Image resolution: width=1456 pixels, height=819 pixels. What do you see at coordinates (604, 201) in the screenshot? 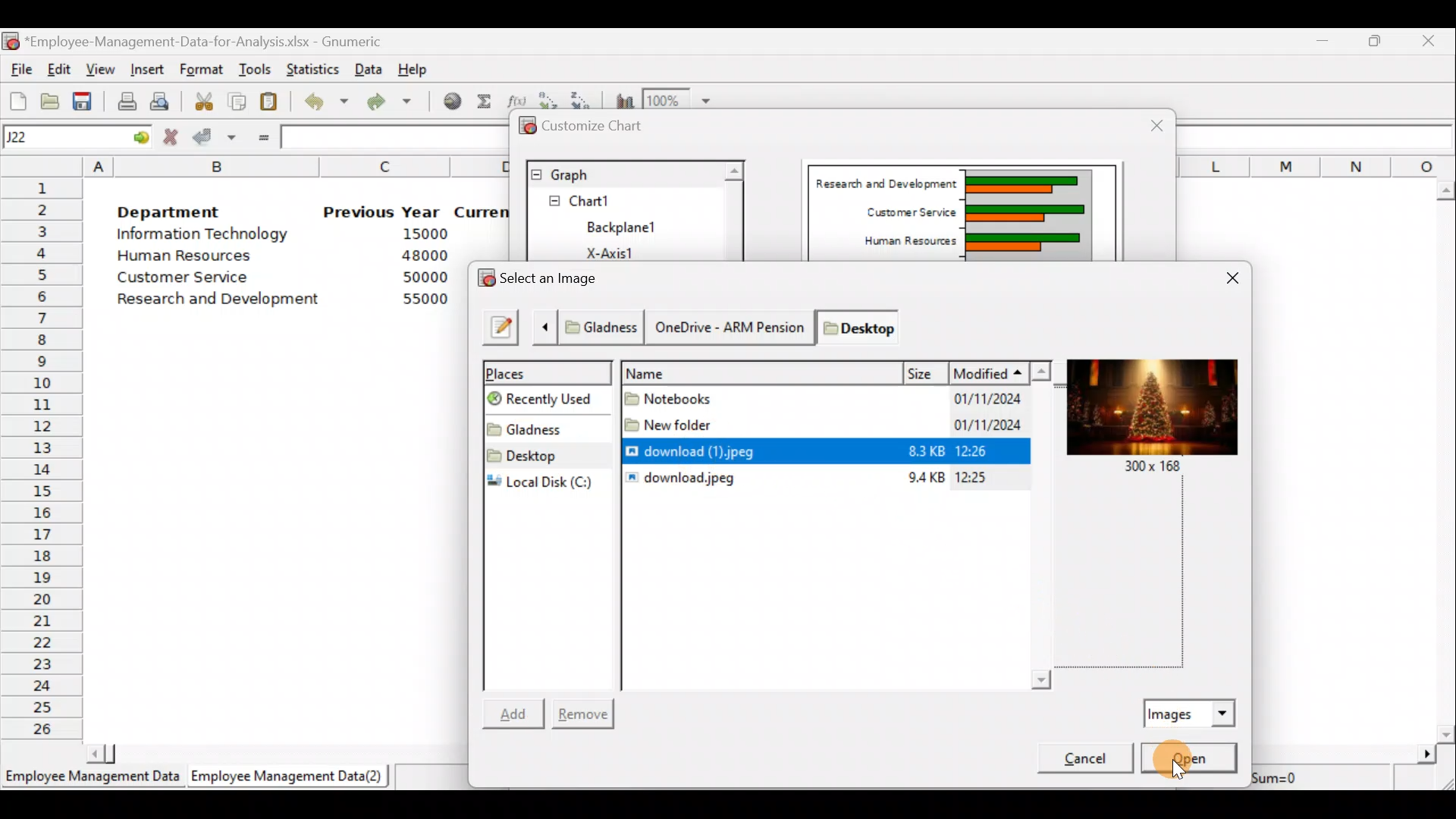
I see `Chart1` at bounding box center [604, 201].